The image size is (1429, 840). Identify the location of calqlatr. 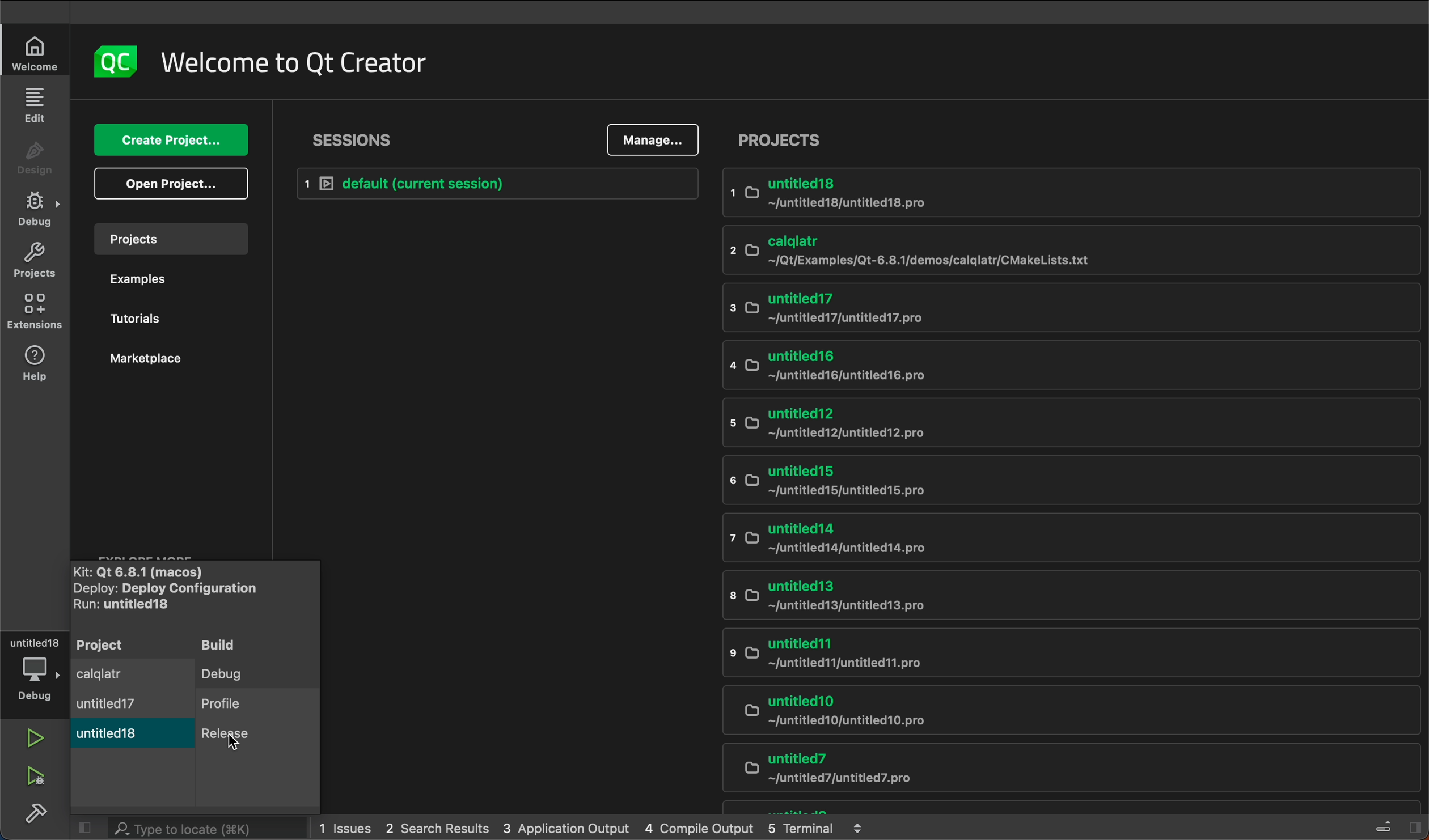
(109, 674).